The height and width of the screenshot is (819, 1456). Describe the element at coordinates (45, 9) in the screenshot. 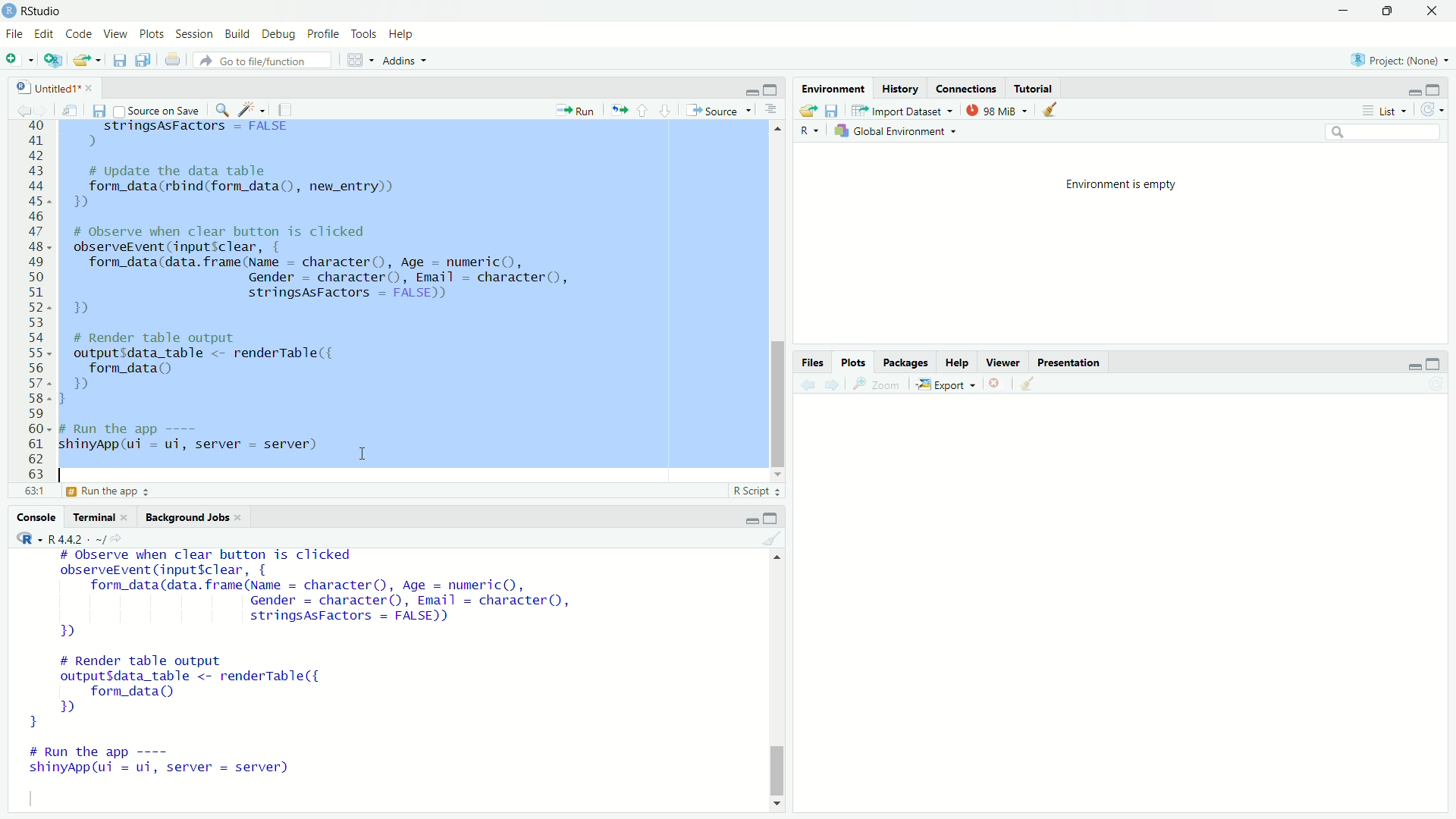

I see `RStudio` at that location.